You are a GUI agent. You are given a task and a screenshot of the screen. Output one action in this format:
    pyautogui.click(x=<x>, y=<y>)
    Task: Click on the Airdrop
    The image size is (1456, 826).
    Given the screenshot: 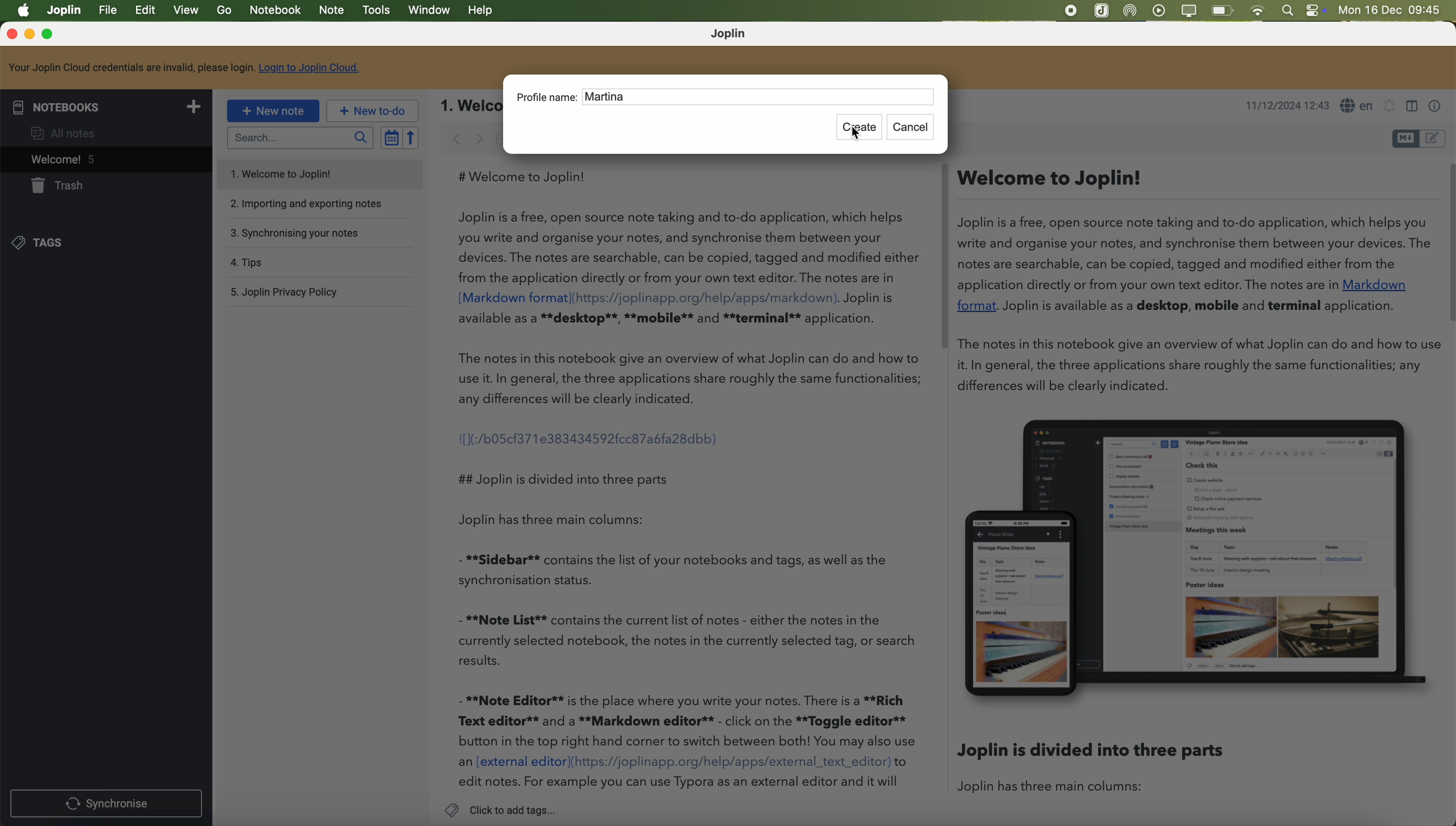 What is the action you would take?
    pyautogui.click(x=1133, y=11)
    